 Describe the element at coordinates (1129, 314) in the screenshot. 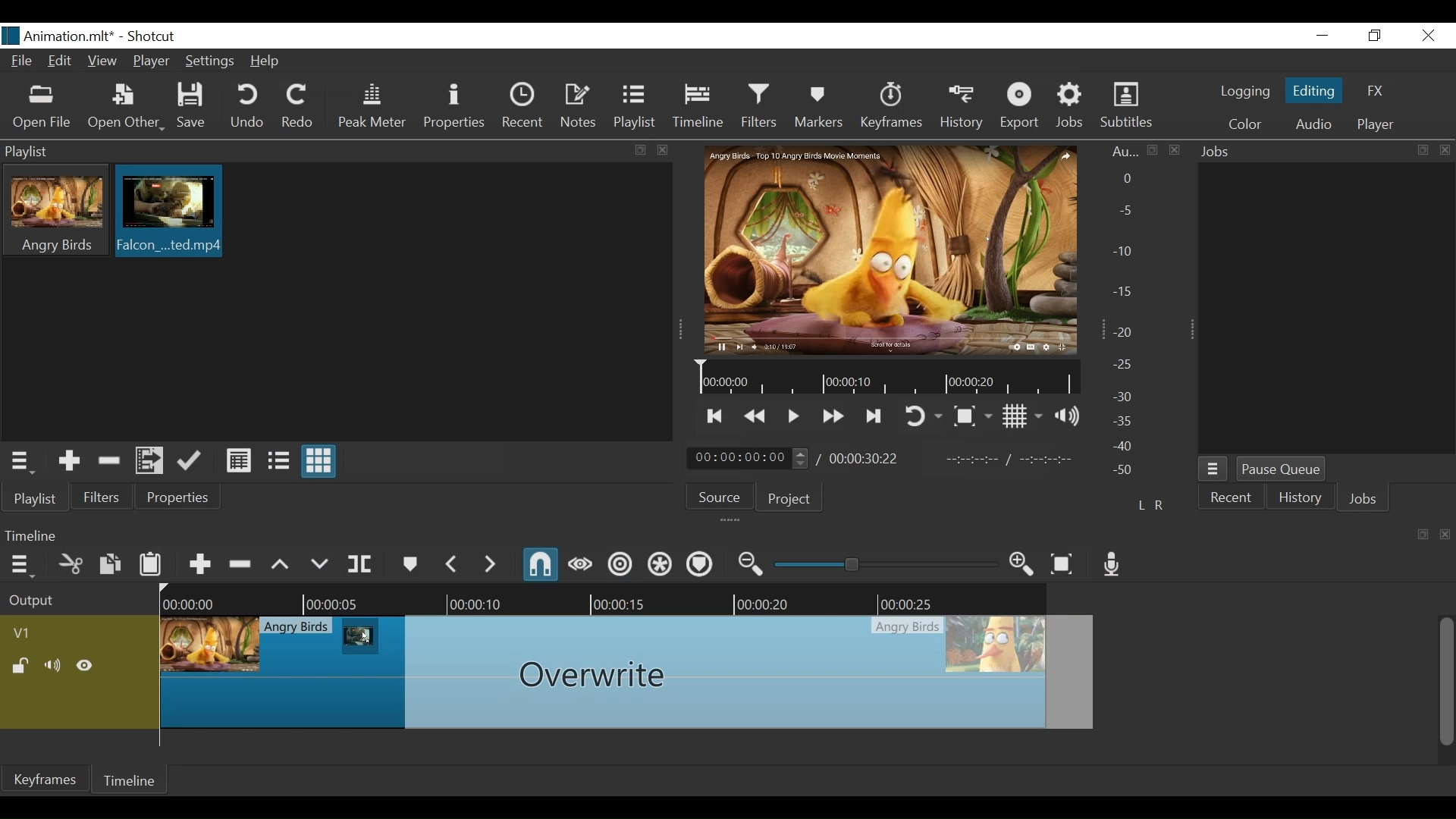

I see `Audio Panel` at that location.